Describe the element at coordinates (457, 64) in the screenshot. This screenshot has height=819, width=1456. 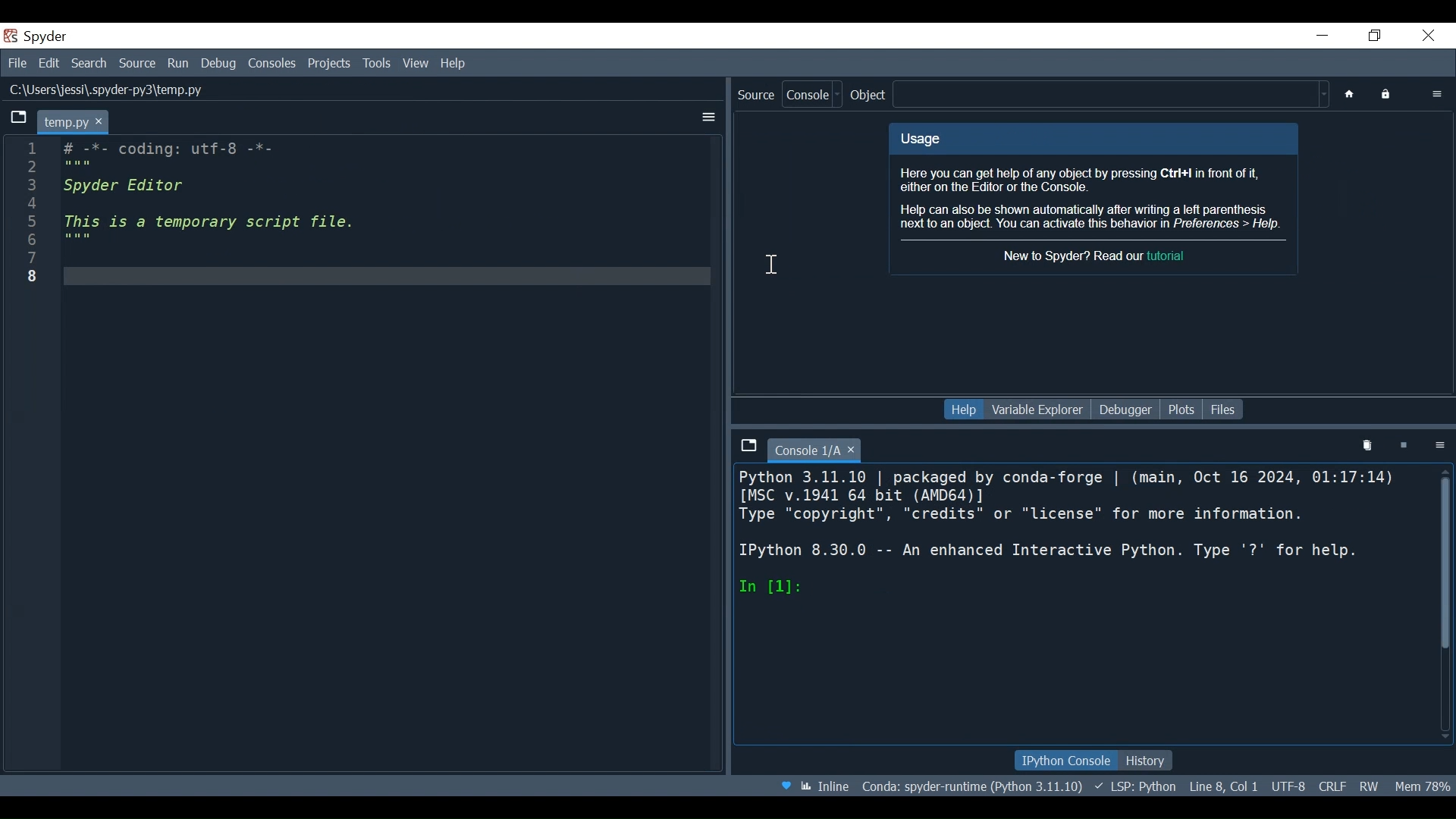
I see `Help` at that location.